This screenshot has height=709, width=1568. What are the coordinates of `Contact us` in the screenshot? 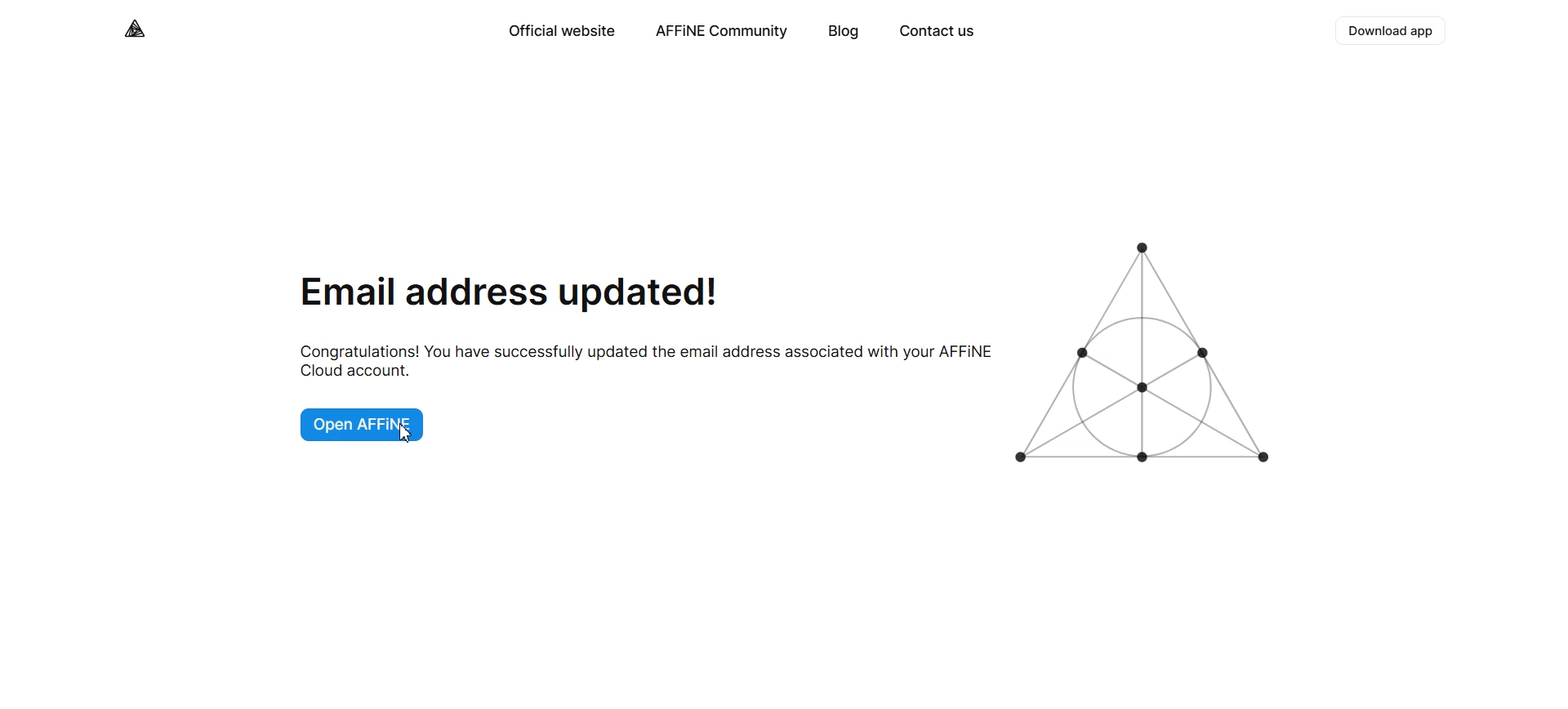 It's located at (936, 33).